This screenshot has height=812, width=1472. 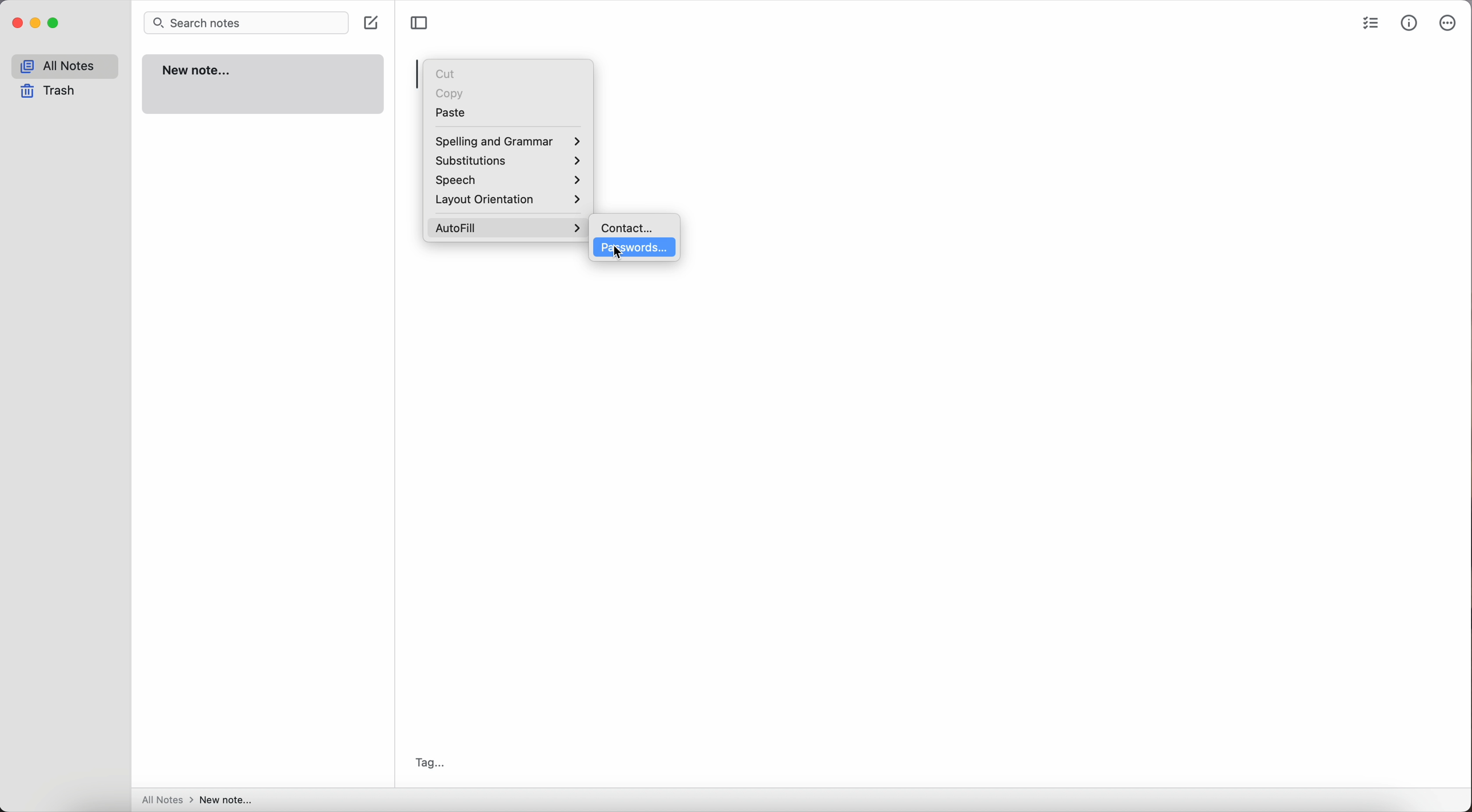 I want to click on check list, so click(x=1370, y=25).